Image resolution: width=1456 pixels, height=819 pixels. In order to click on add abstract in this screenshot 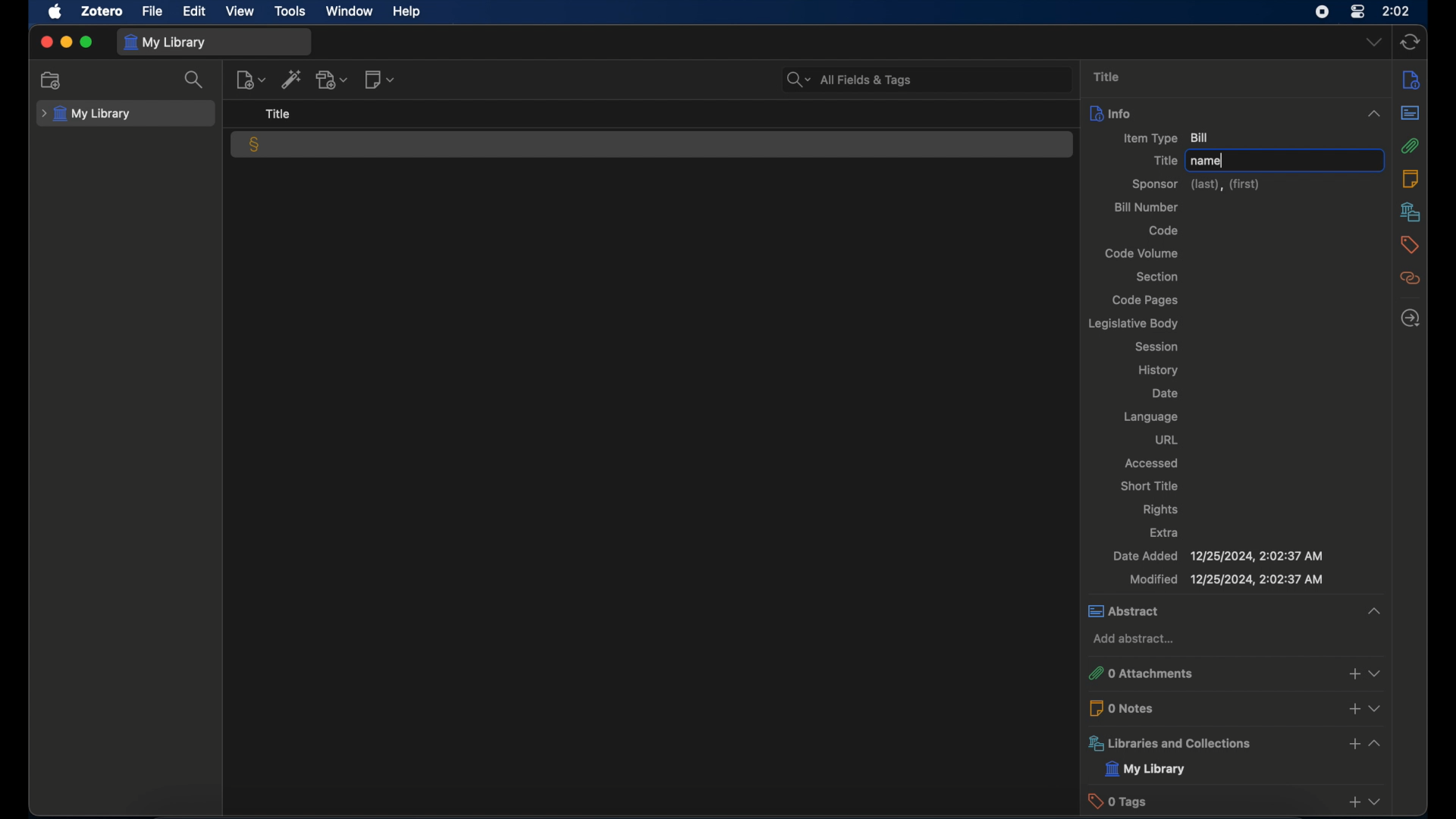, I will do `click(1133, 639)`.